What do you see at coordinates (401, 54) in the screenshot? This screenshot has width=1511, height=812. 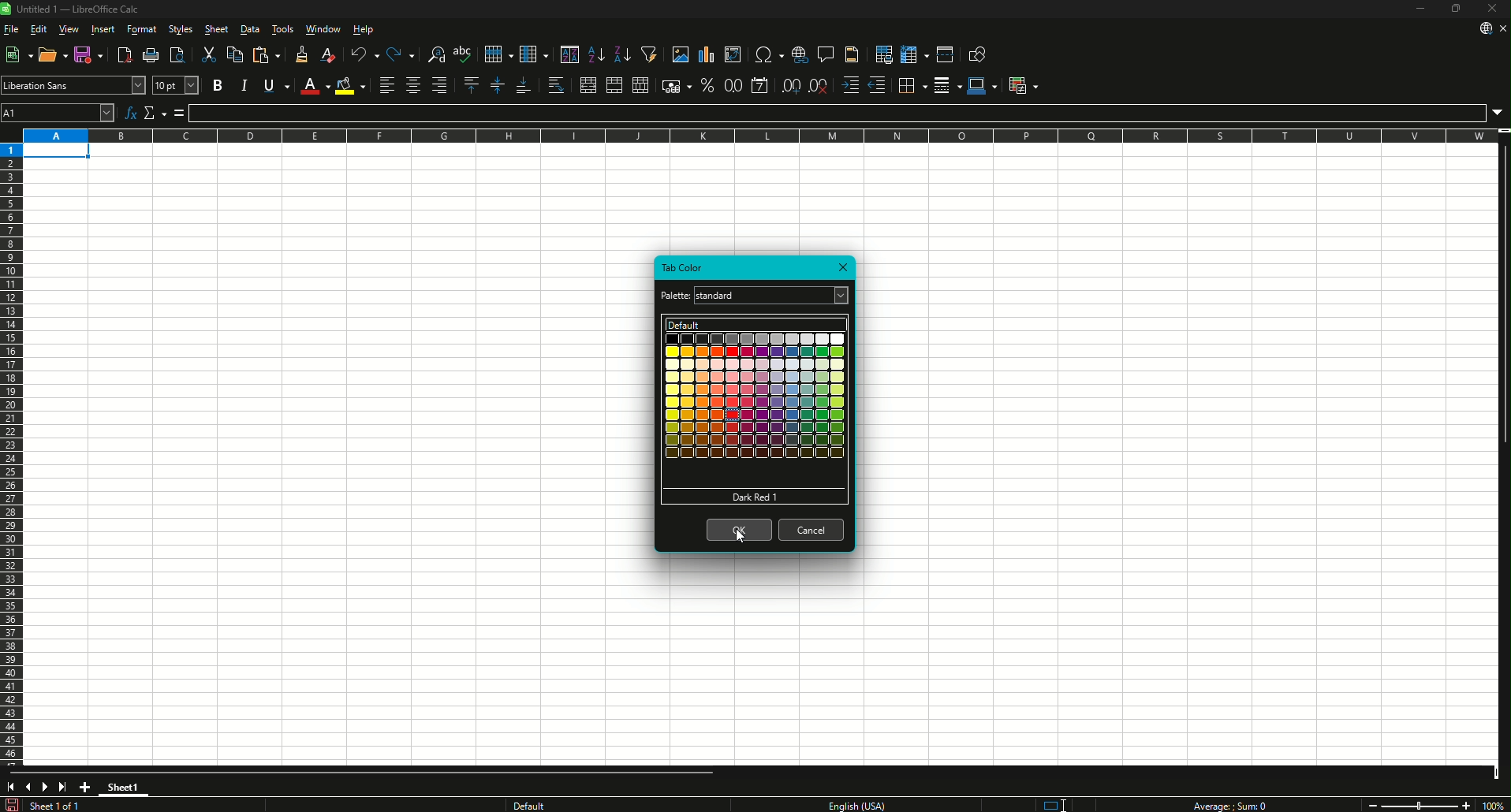 I see `Redo` at bounding box center [401, 54].